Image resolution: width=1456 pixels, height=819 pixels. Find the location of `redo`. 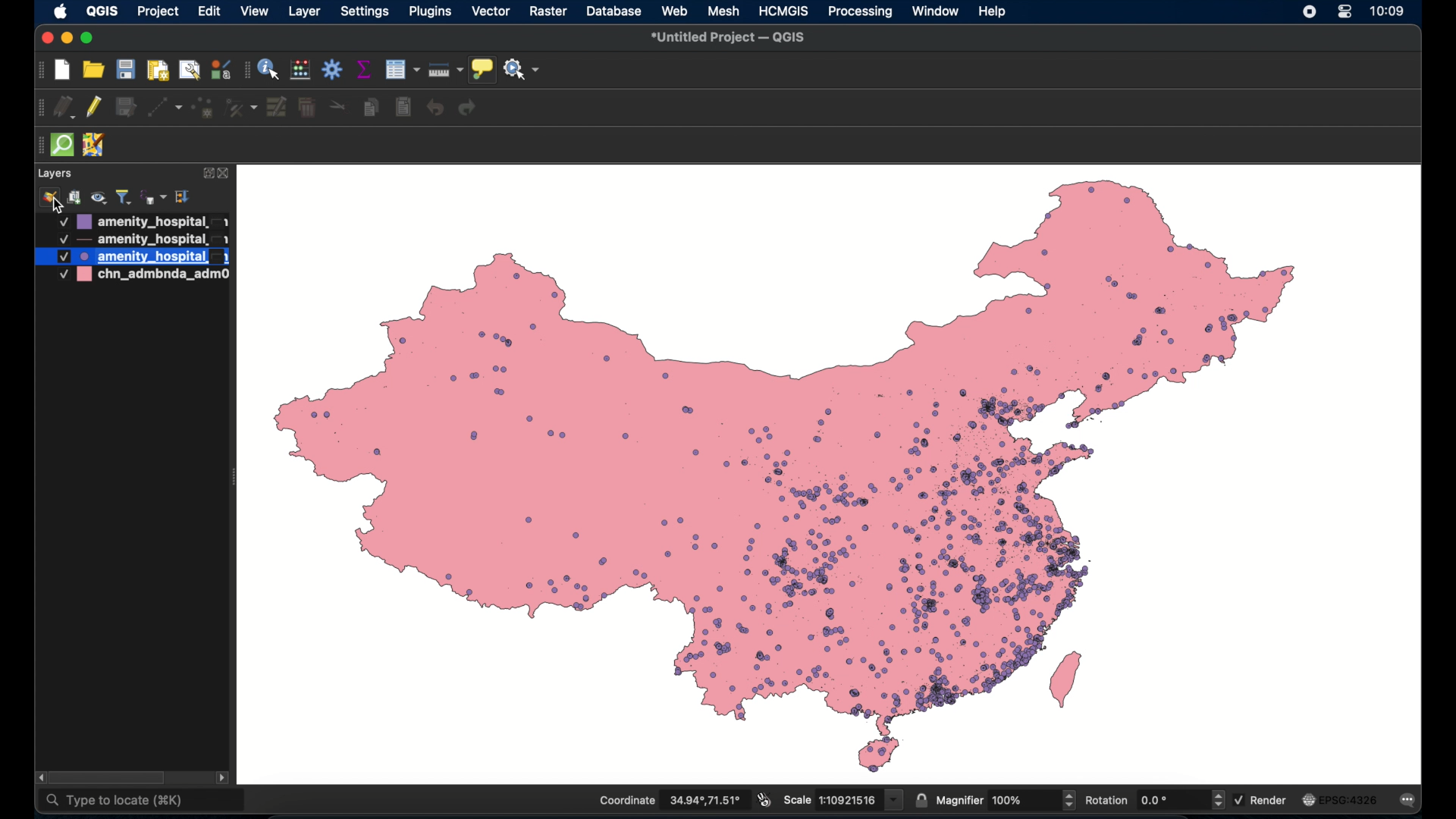

redo is located at coordinates (468, 110).